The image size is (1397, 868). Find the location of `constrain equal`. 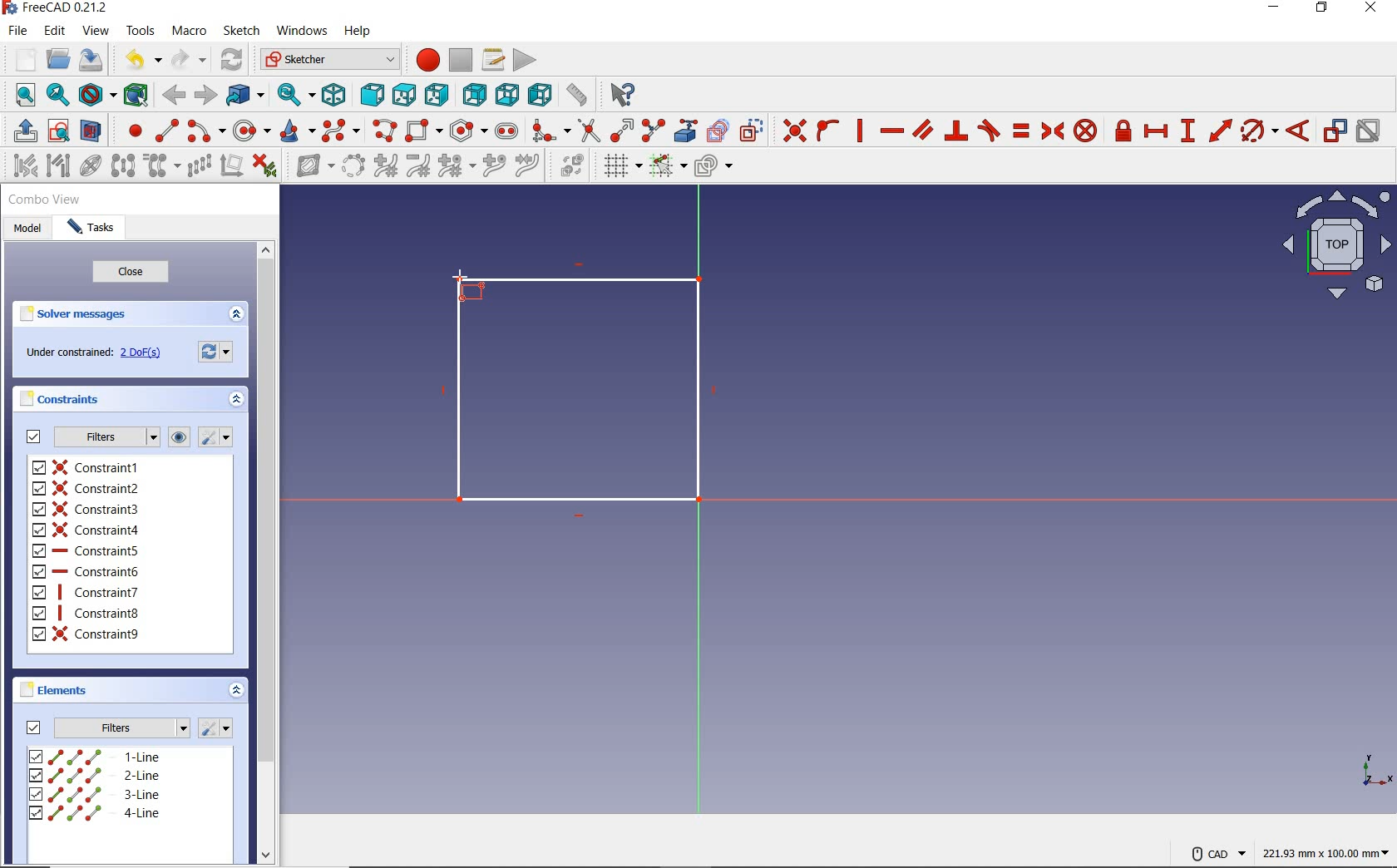

constrain equal is located at coordinates (1020, 131).